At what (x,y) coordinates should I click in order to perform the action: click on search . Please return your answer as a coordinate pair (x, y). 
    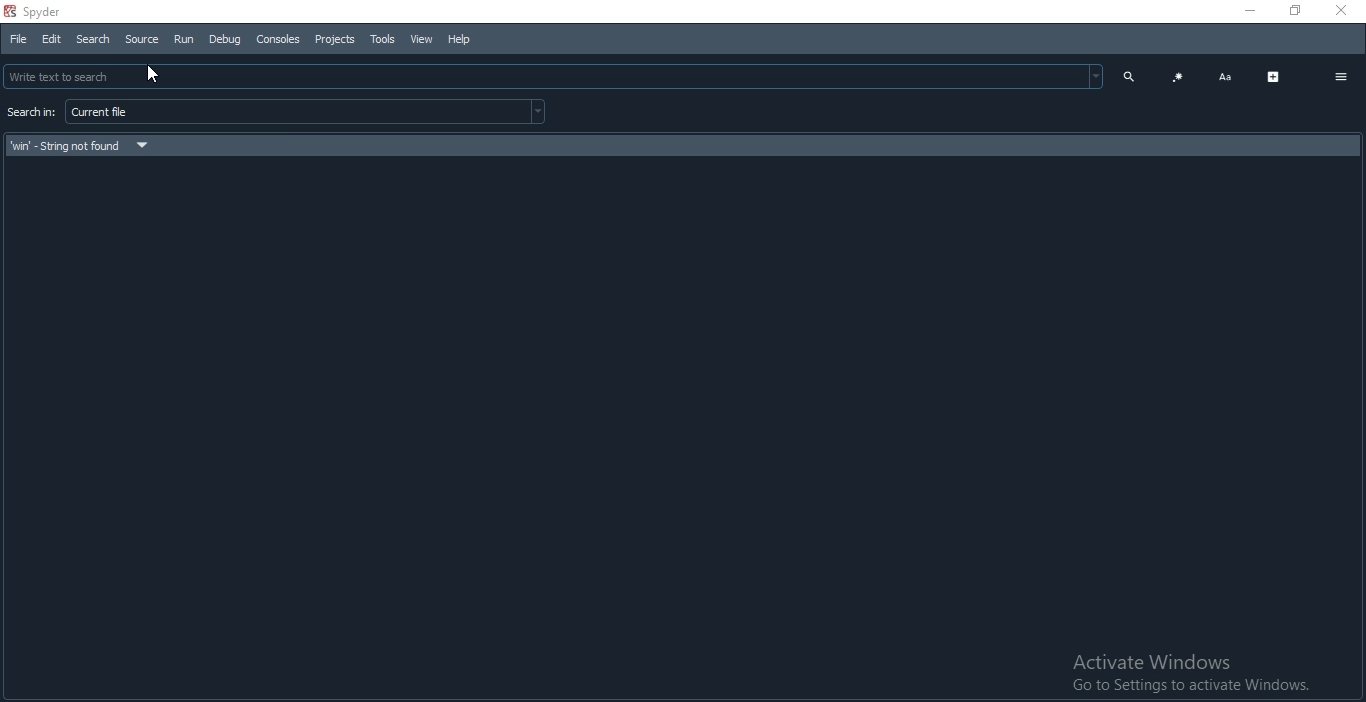
    Looking at the image, I should click on (1125, 76).